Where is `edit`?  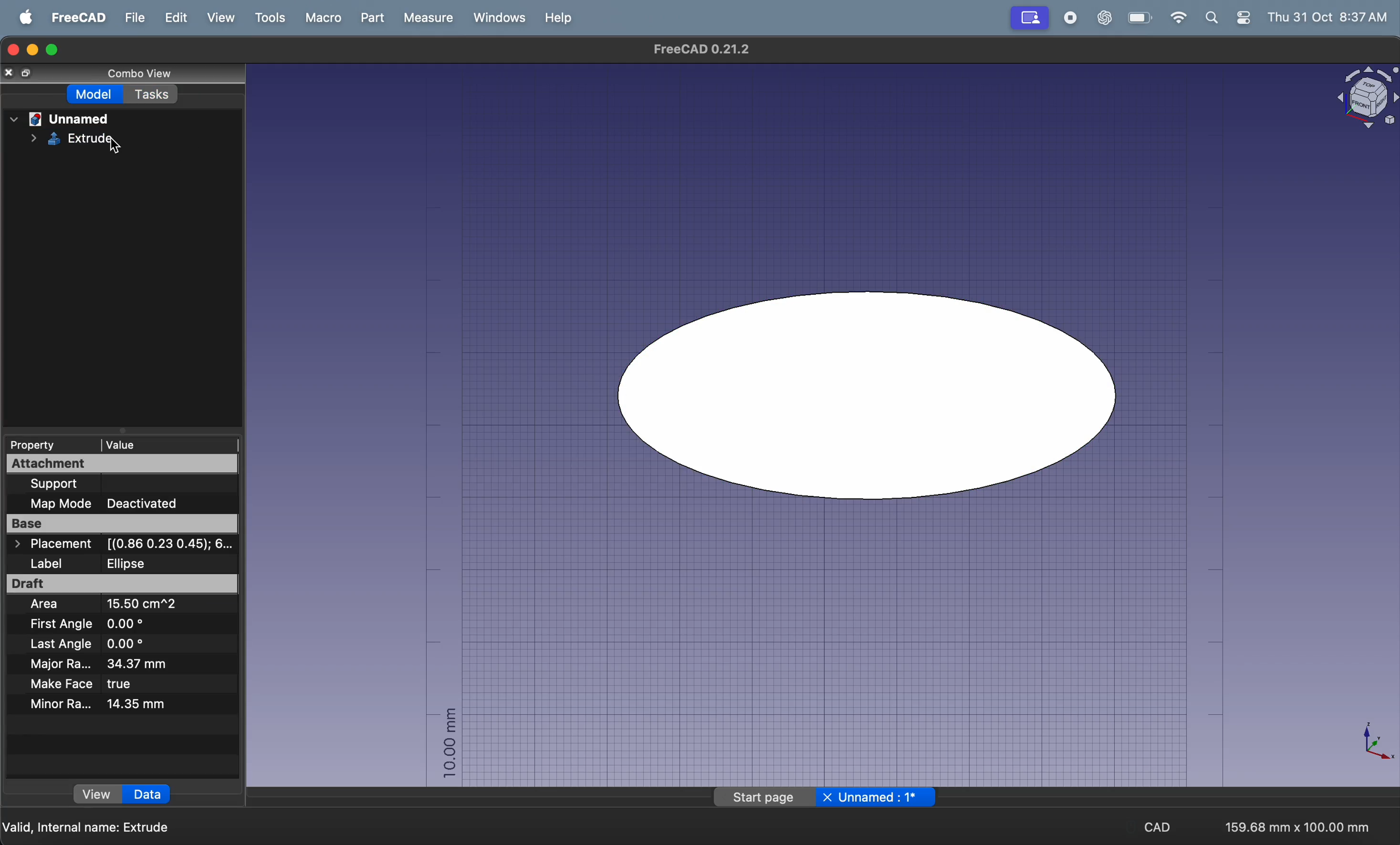 edit is located at coordinates (173, 19).